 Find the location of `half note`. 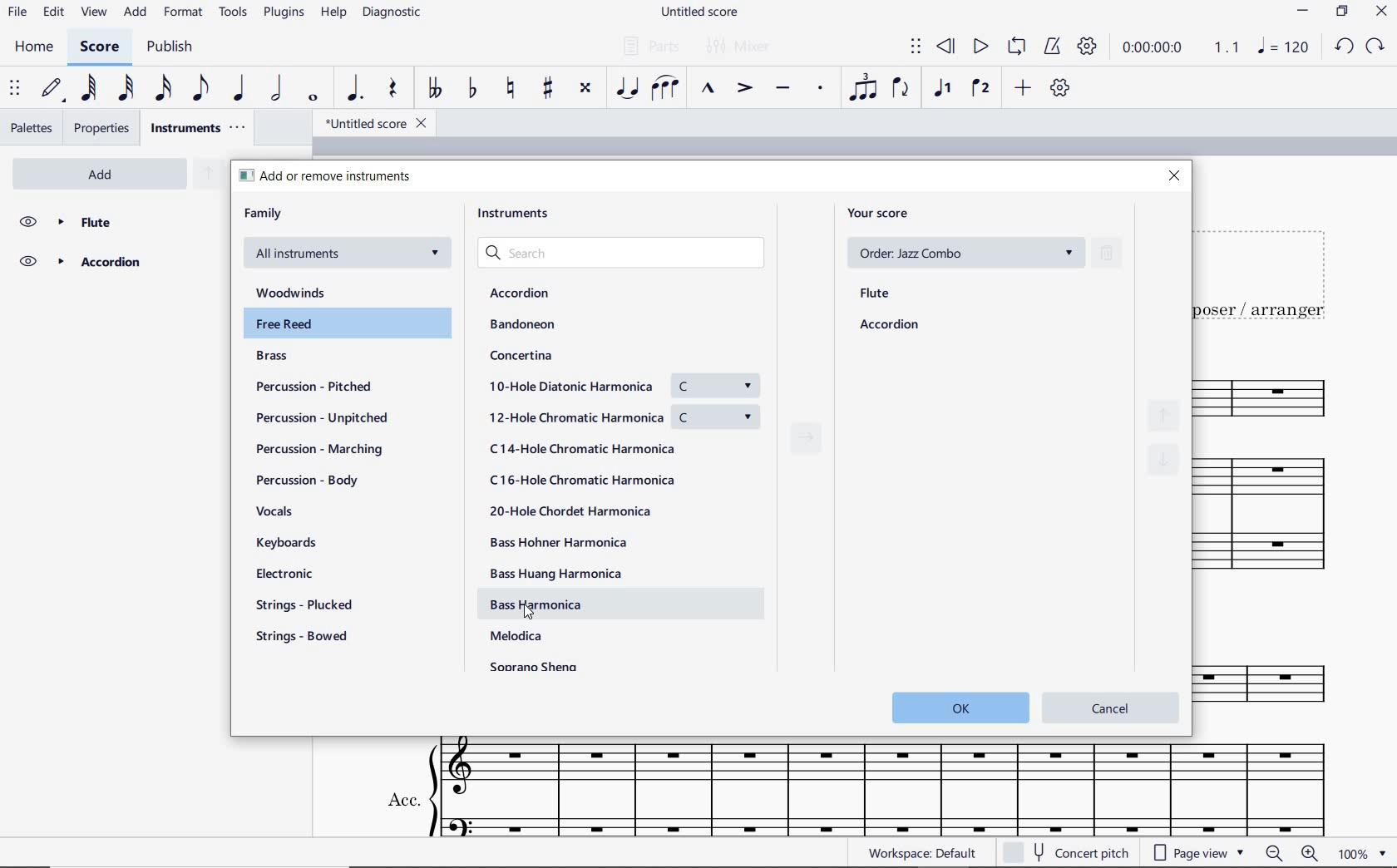

half note is located at coordinates (279, 89).